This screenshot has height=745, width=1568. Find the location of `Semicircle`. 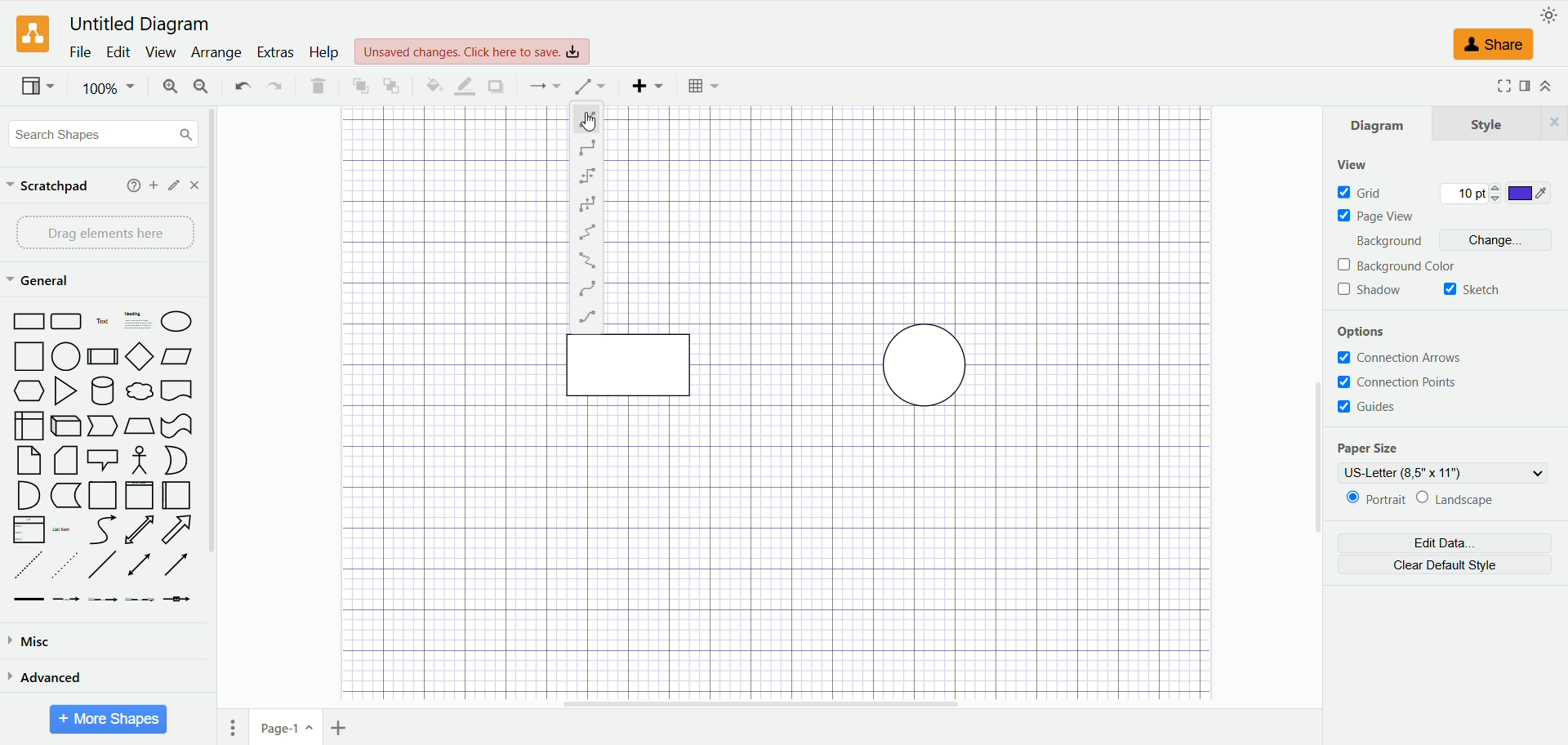

Semicircle is located at coordinates (29, 495).